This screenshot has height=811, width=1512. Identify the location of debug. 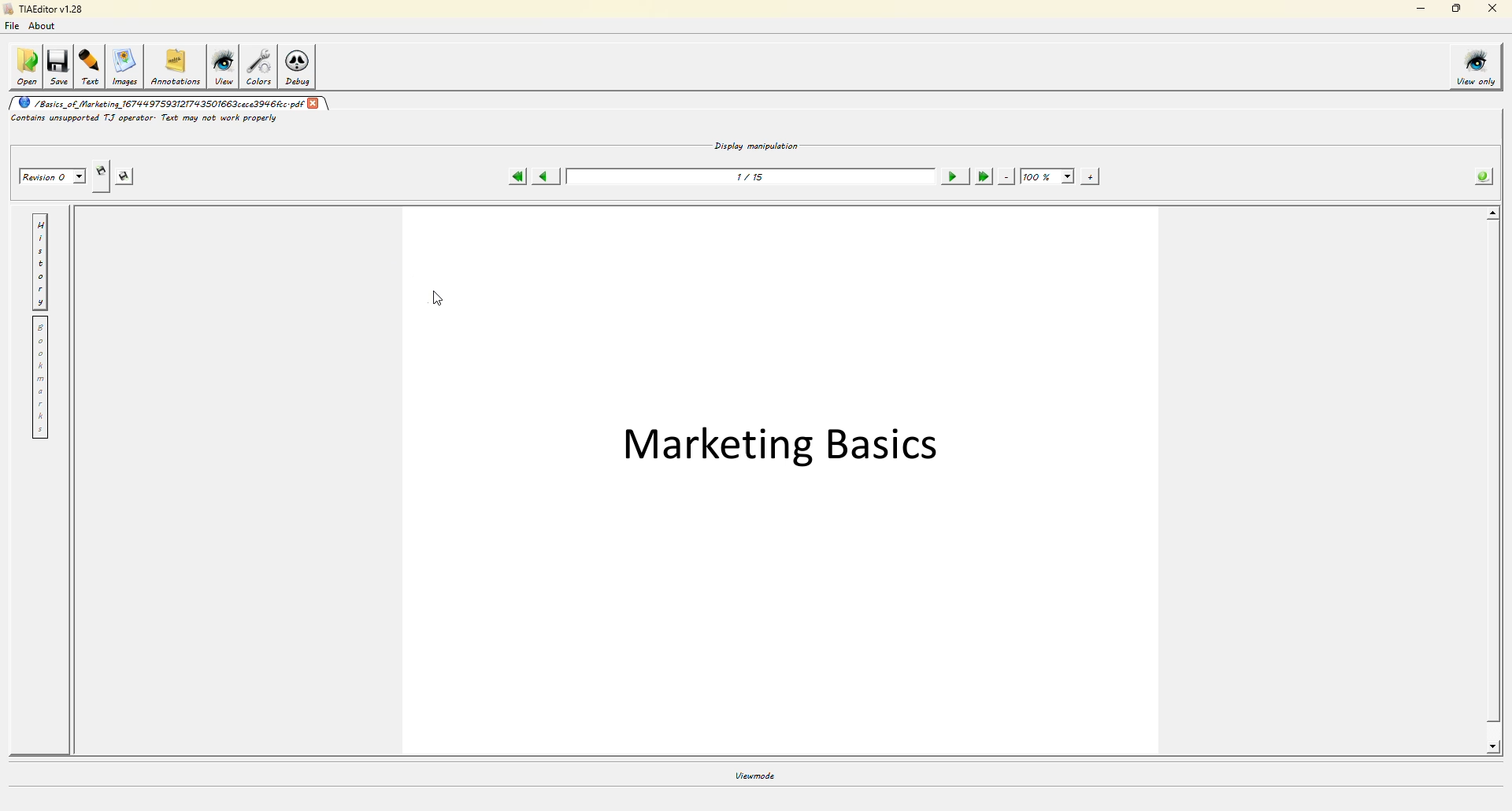
(299, 68).